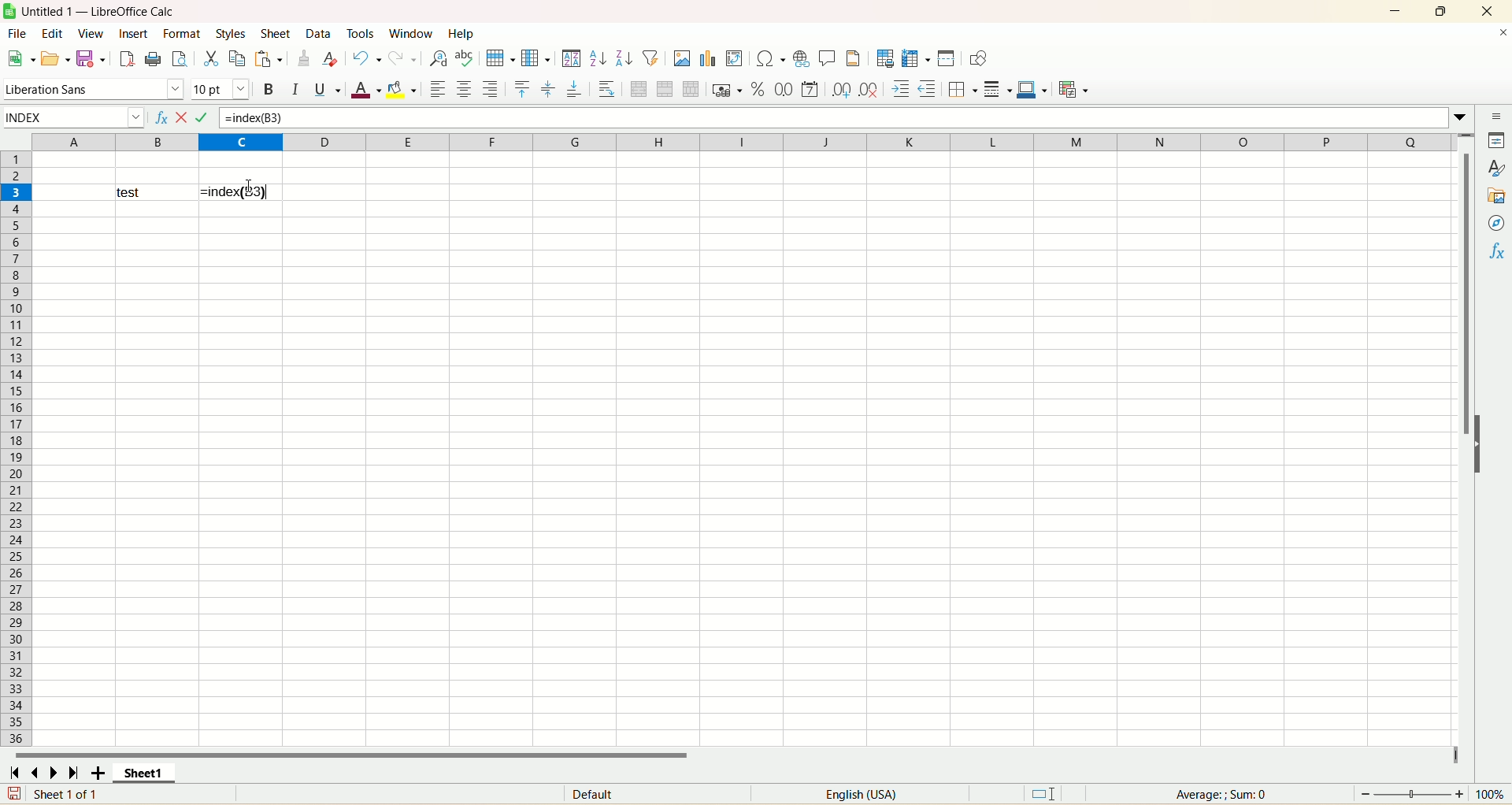 The height and width of the screenshot is (805, 1512). What do you see at coordinates (53, 33) in the screenshot?
I see `edit` at bounding box center [53, 33].